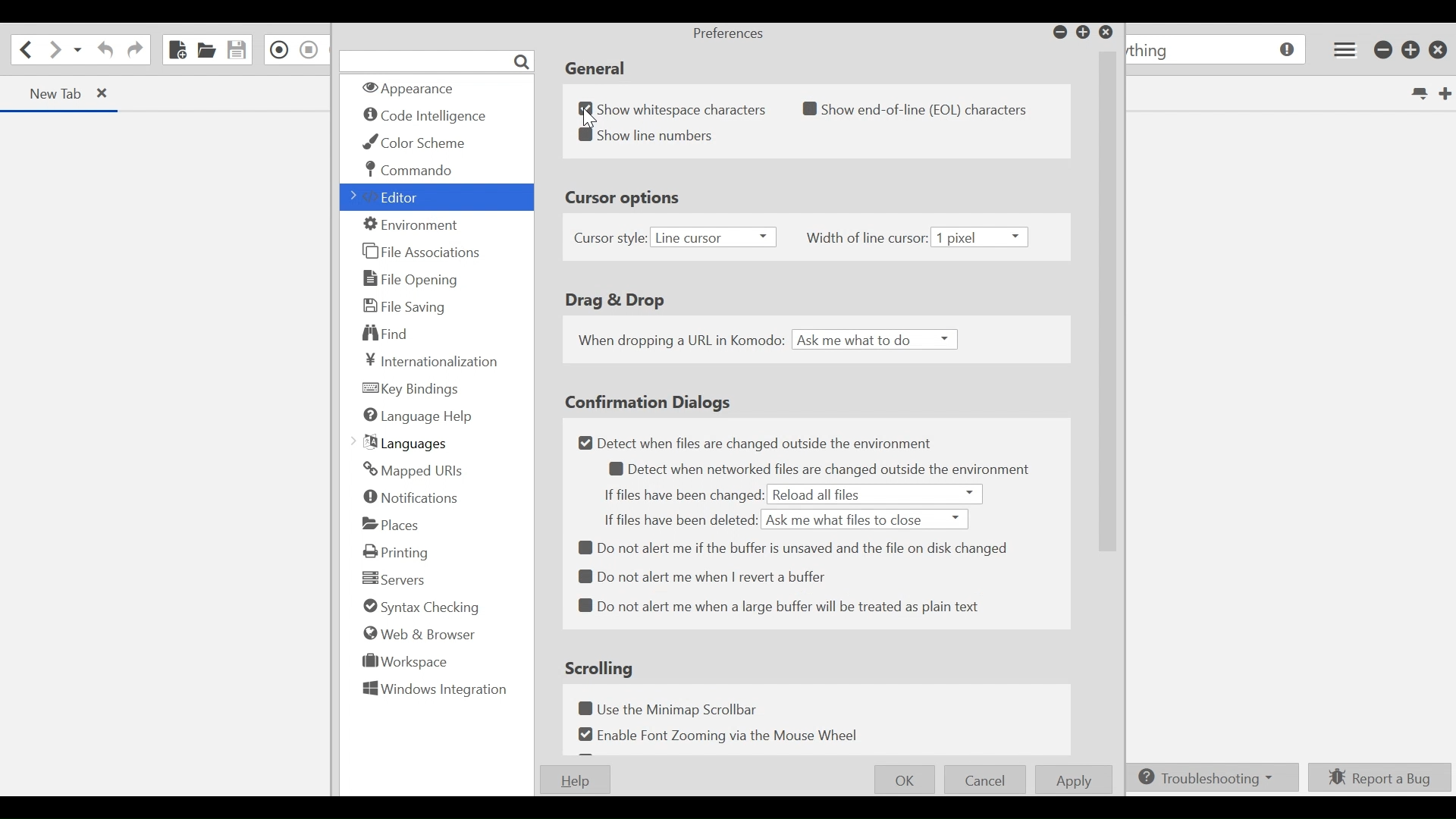 The width and height of the screenshot is (1456, 819). What do you see at coordinates (421, 250) in the screenshot?
I see `File Associations` at bounding box center [421, 250].